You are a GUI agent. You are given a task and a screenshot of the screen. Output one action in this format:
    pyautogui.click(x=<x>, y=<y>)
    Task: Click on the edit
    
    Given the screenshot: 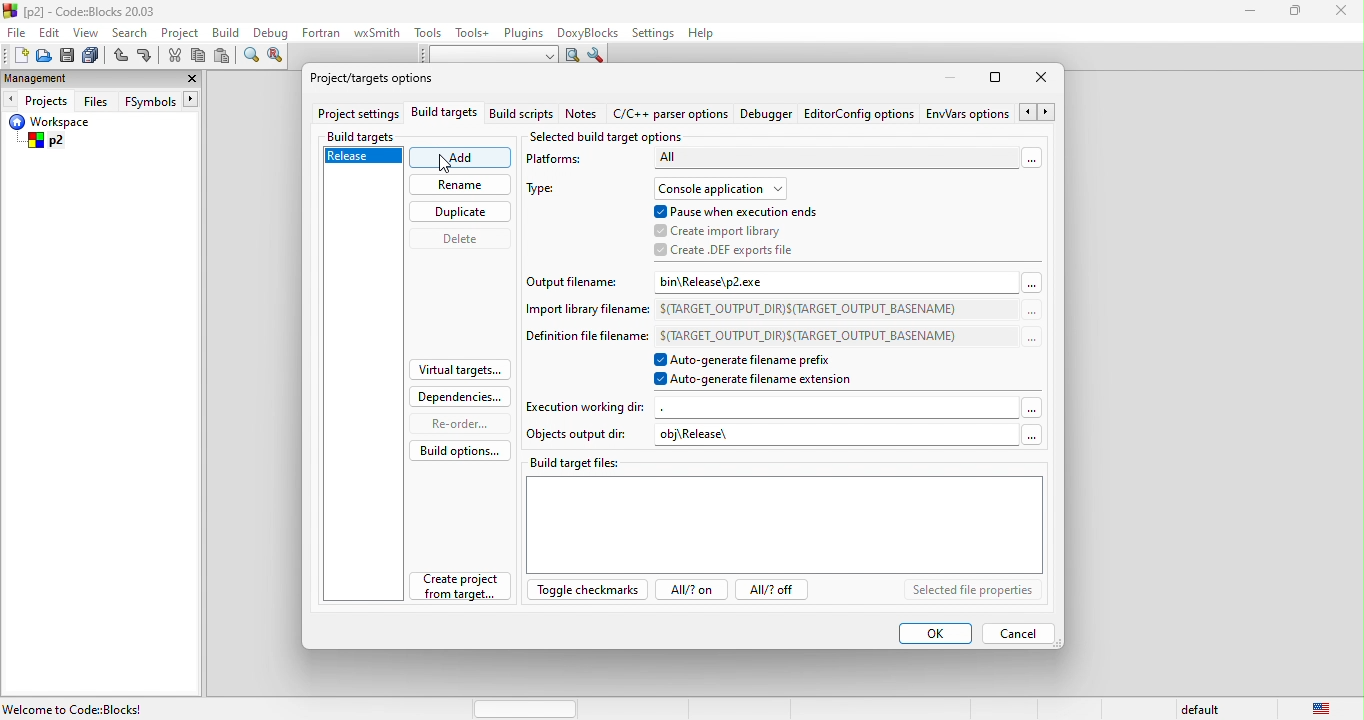 What is the action you would take?
    pyautogui.click(x=52, y=31)
    